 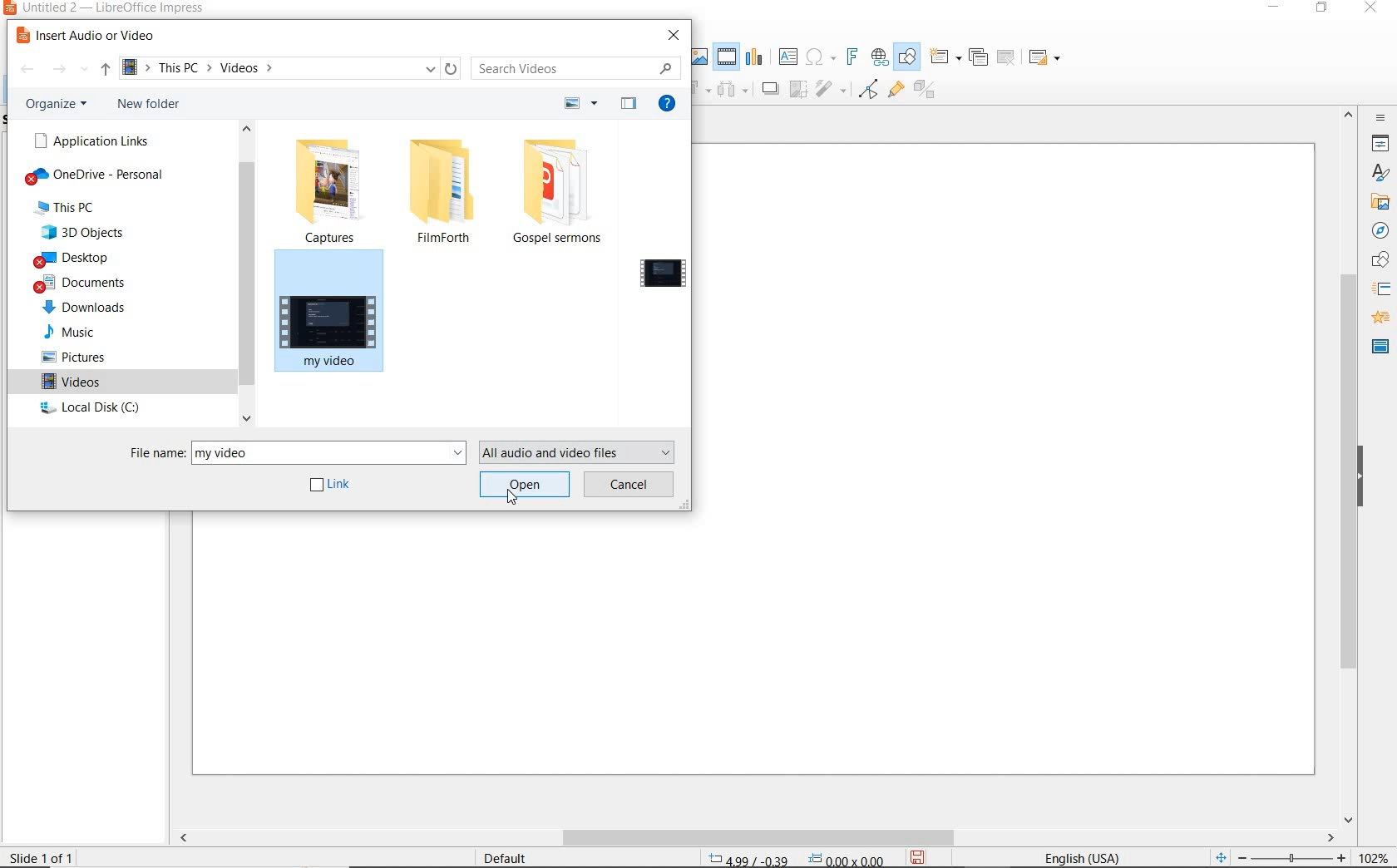 I want to click on TOGGLE POINT EDIT MODE, so click(x=870, y=89).